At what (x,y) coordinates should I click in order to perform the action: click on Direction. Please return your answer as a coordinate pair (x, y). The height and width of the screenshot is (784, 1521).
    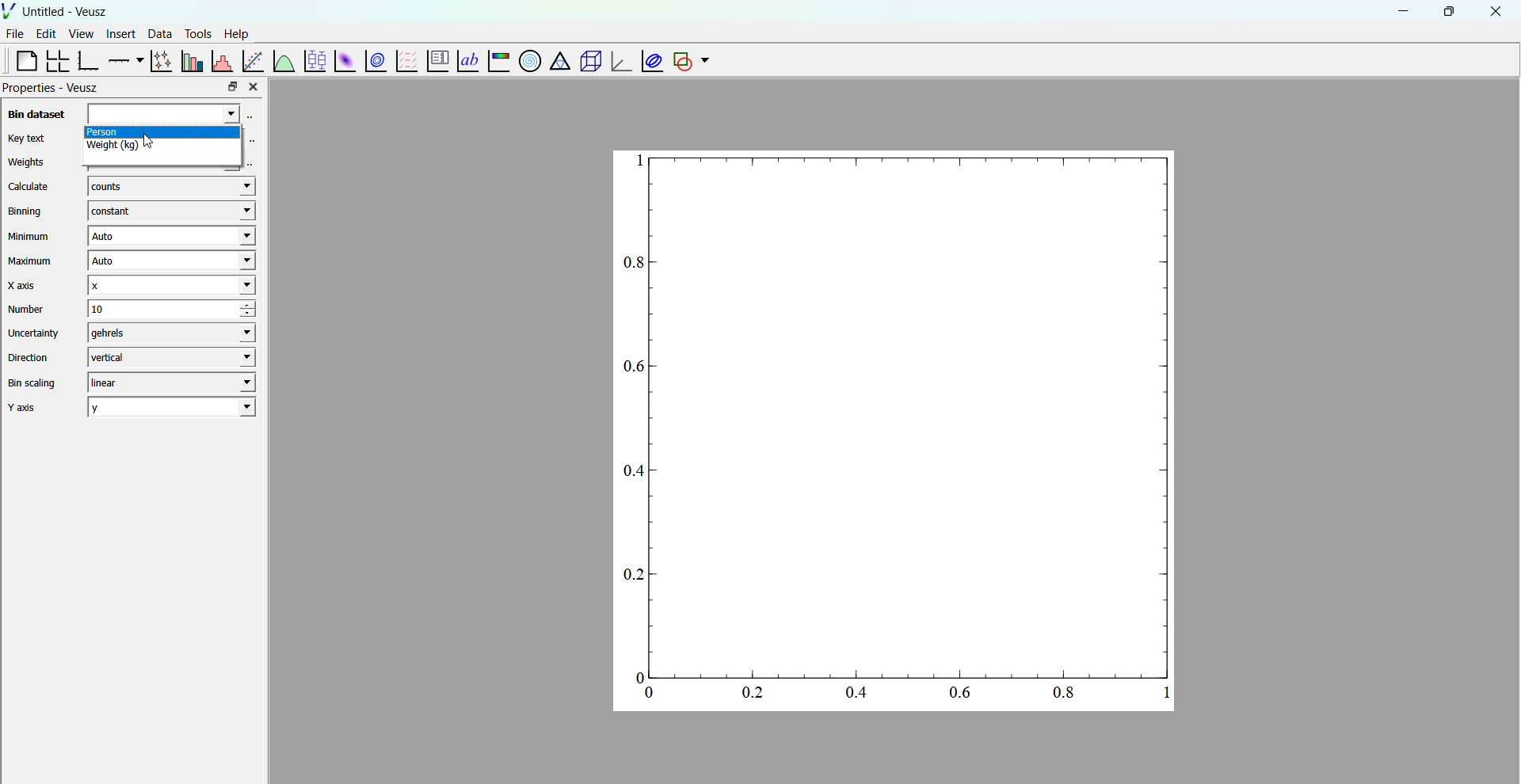
    Looking at the image, I should click on (31, 356).